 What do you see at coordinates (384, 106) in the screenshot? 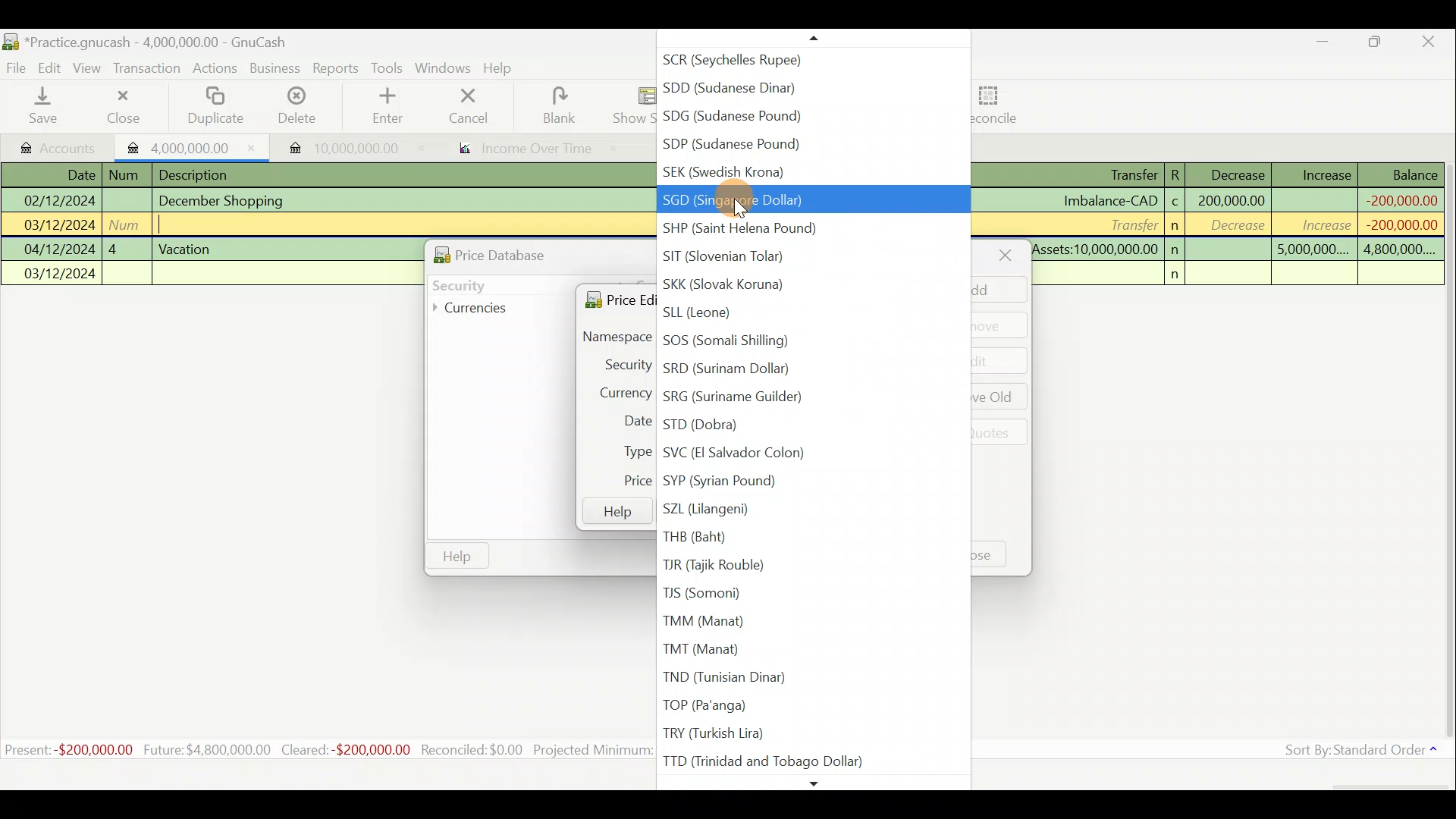
I see `Enter` at bounding box center [384, 106].